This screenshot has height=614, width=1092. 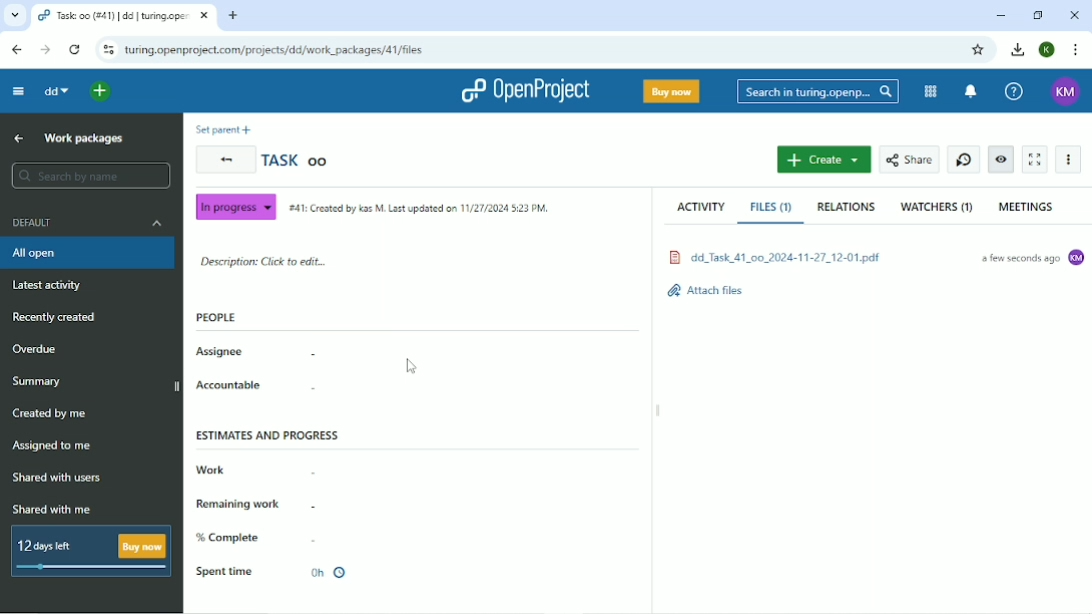 I want to click on Shared with users, so click(x=57, y=478).